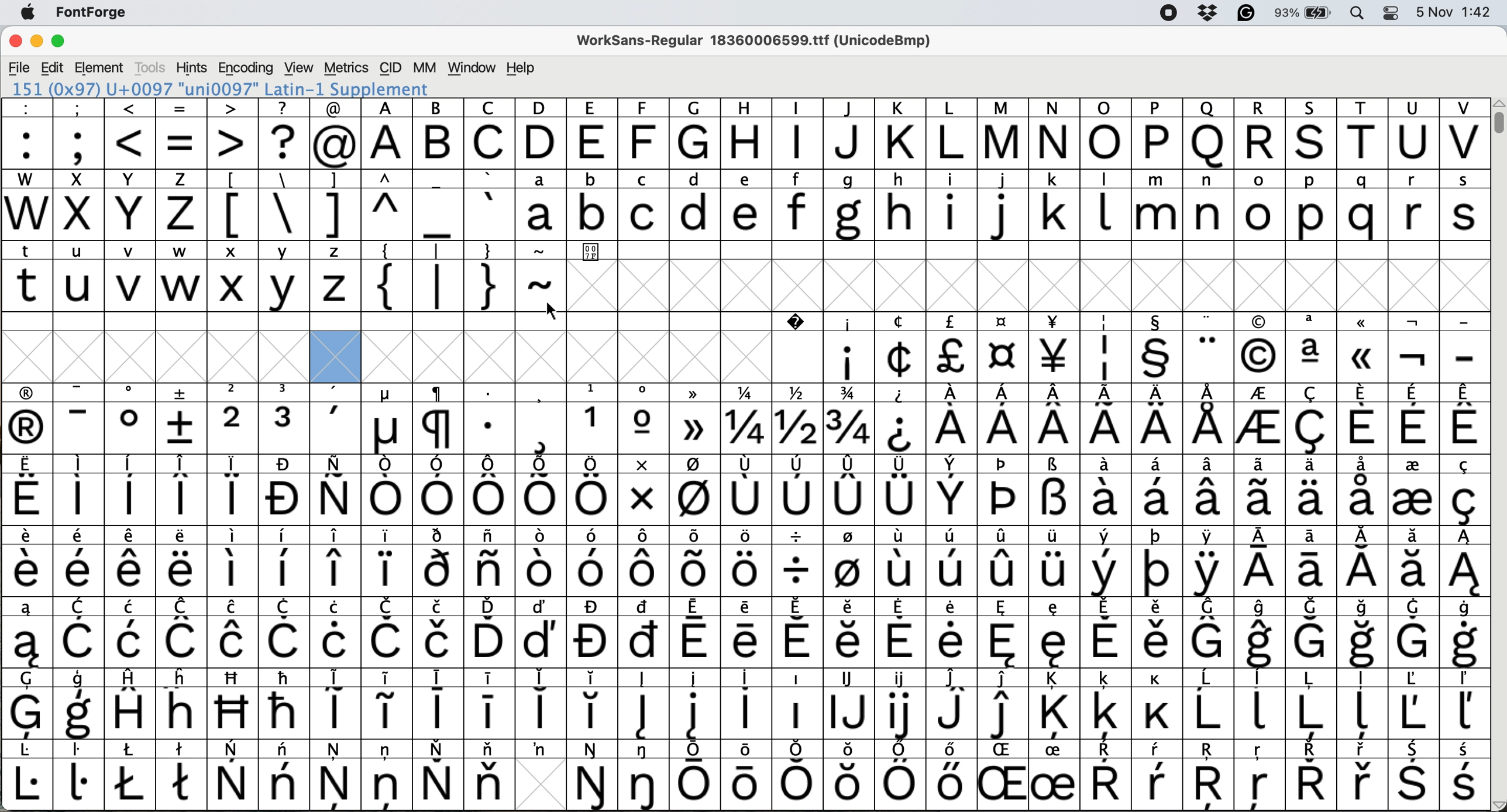 The height and width of the screenshot is (812, 1507). What do you see at coordinates (748, 205) in the screenshot?
I see `e` at bounding box center [748, 205].